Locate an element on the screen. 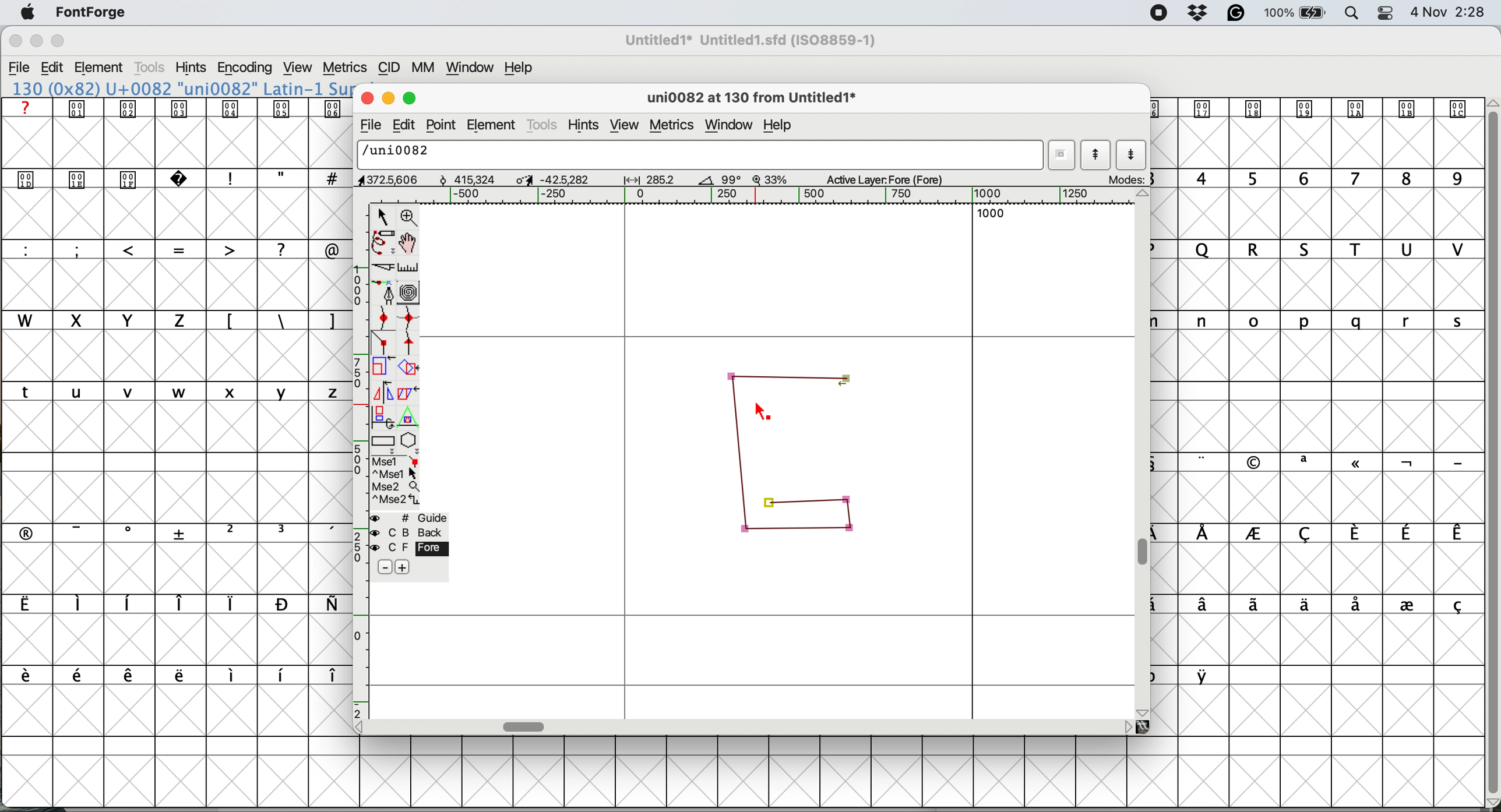 The height and width of the screenshot is (812, 1501). skew the selection is located at coordinates (406, 391).